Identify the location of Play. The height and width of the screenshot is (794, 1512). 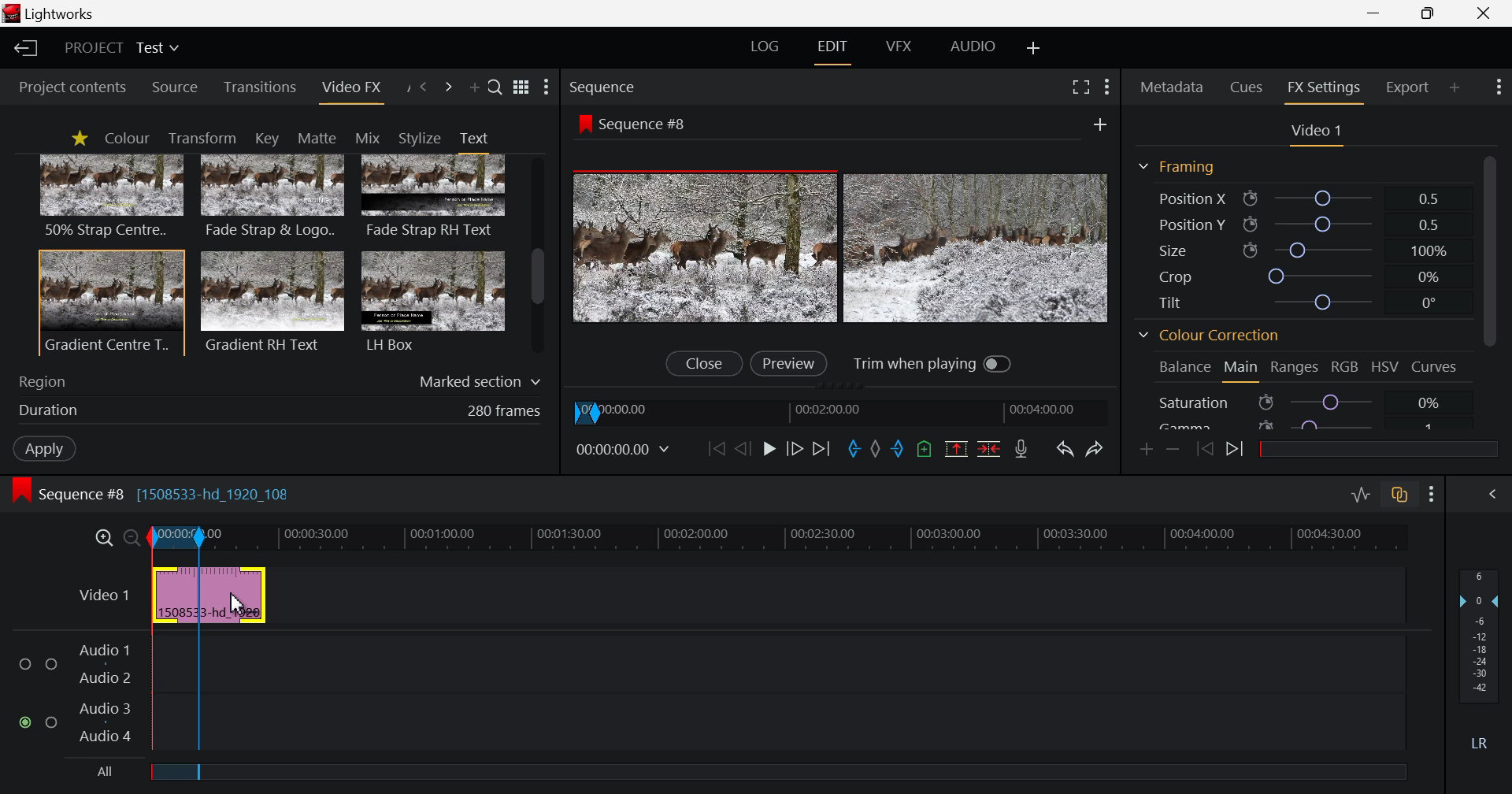
(769, 450).